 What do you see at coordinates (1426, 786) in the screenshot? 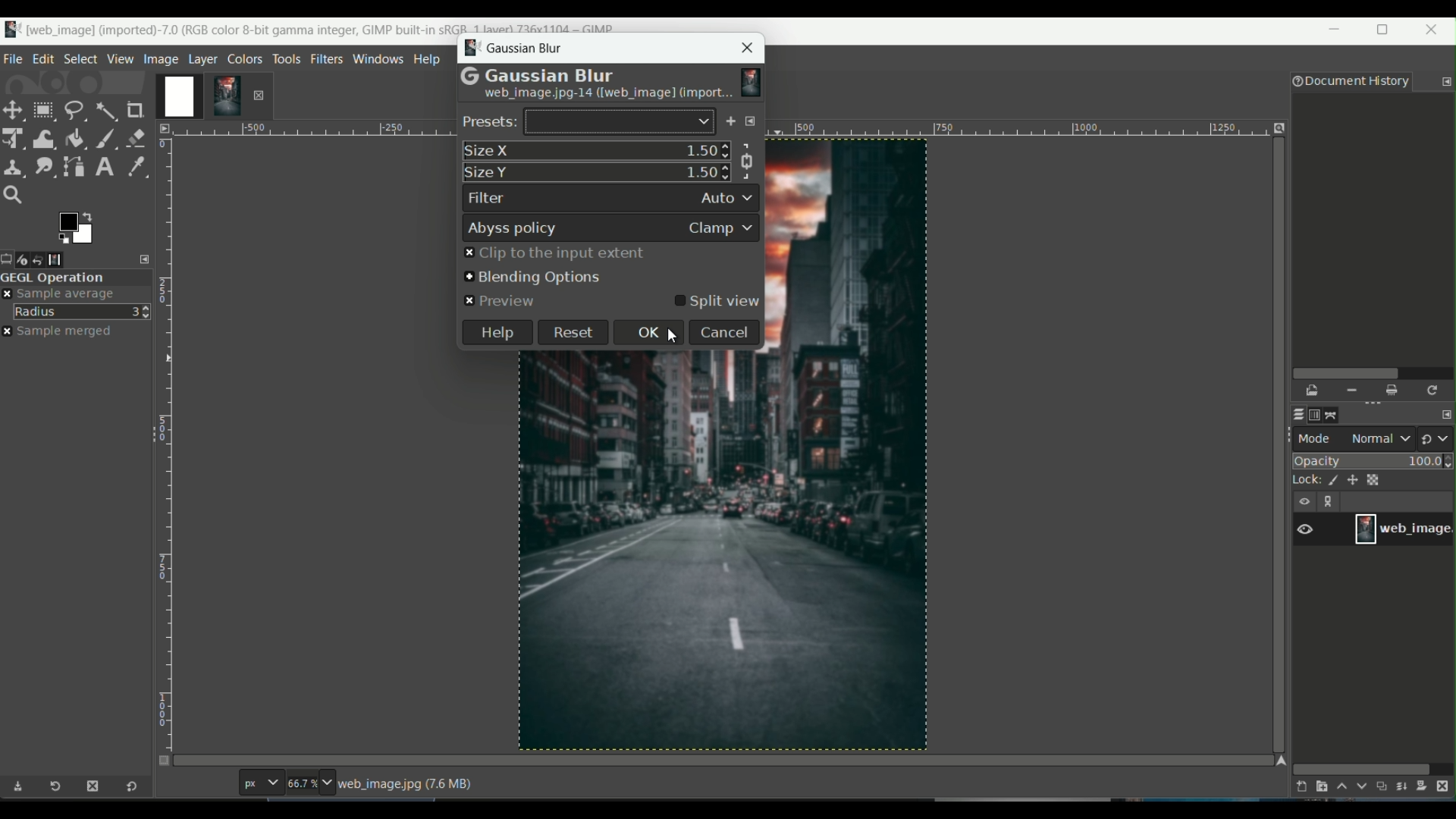
I see `add a mask` at bounding box center [1426, 786].